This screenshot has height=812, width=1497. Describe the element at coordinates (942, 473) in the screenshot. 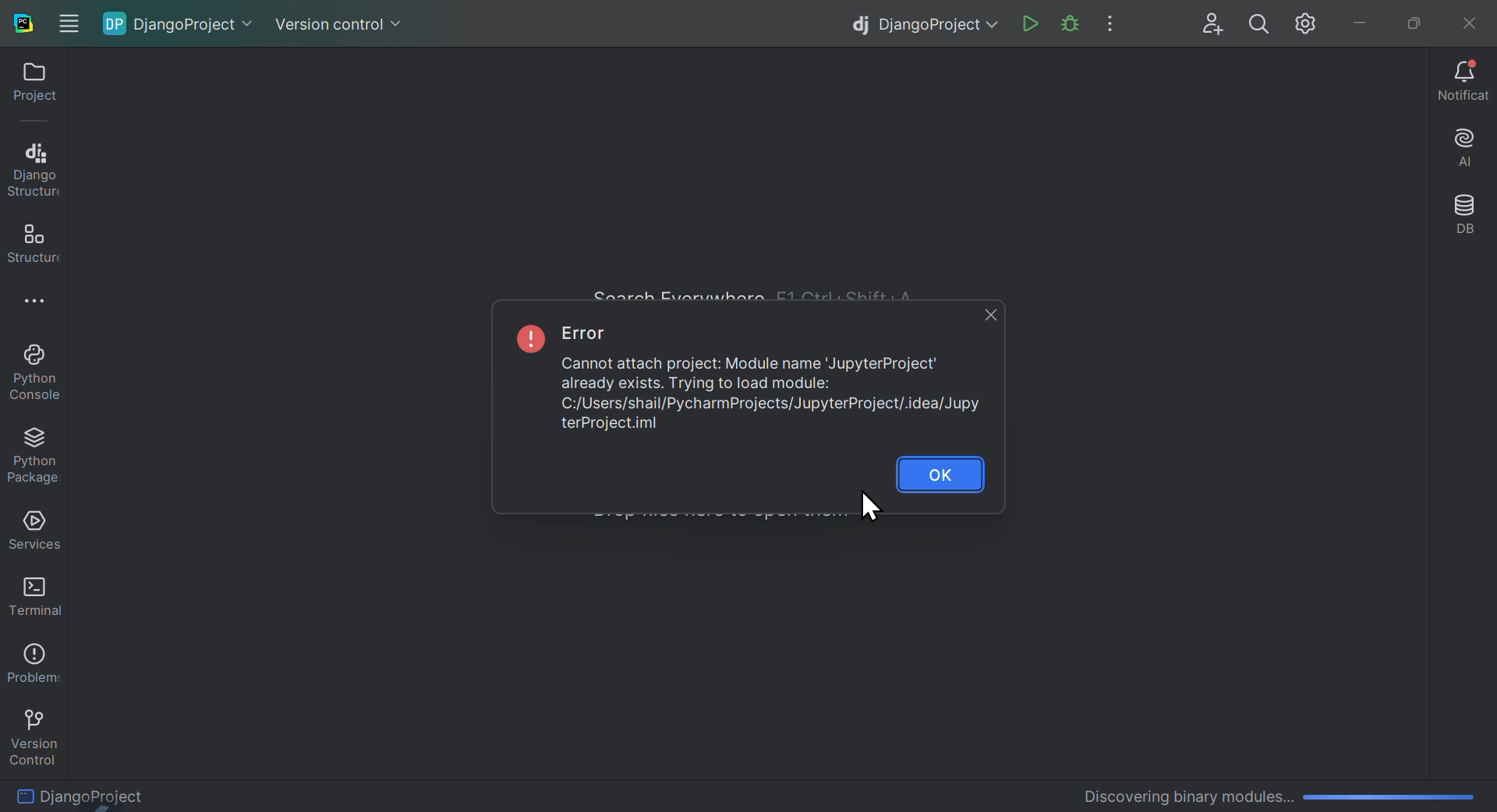

I see `OK` at that location.